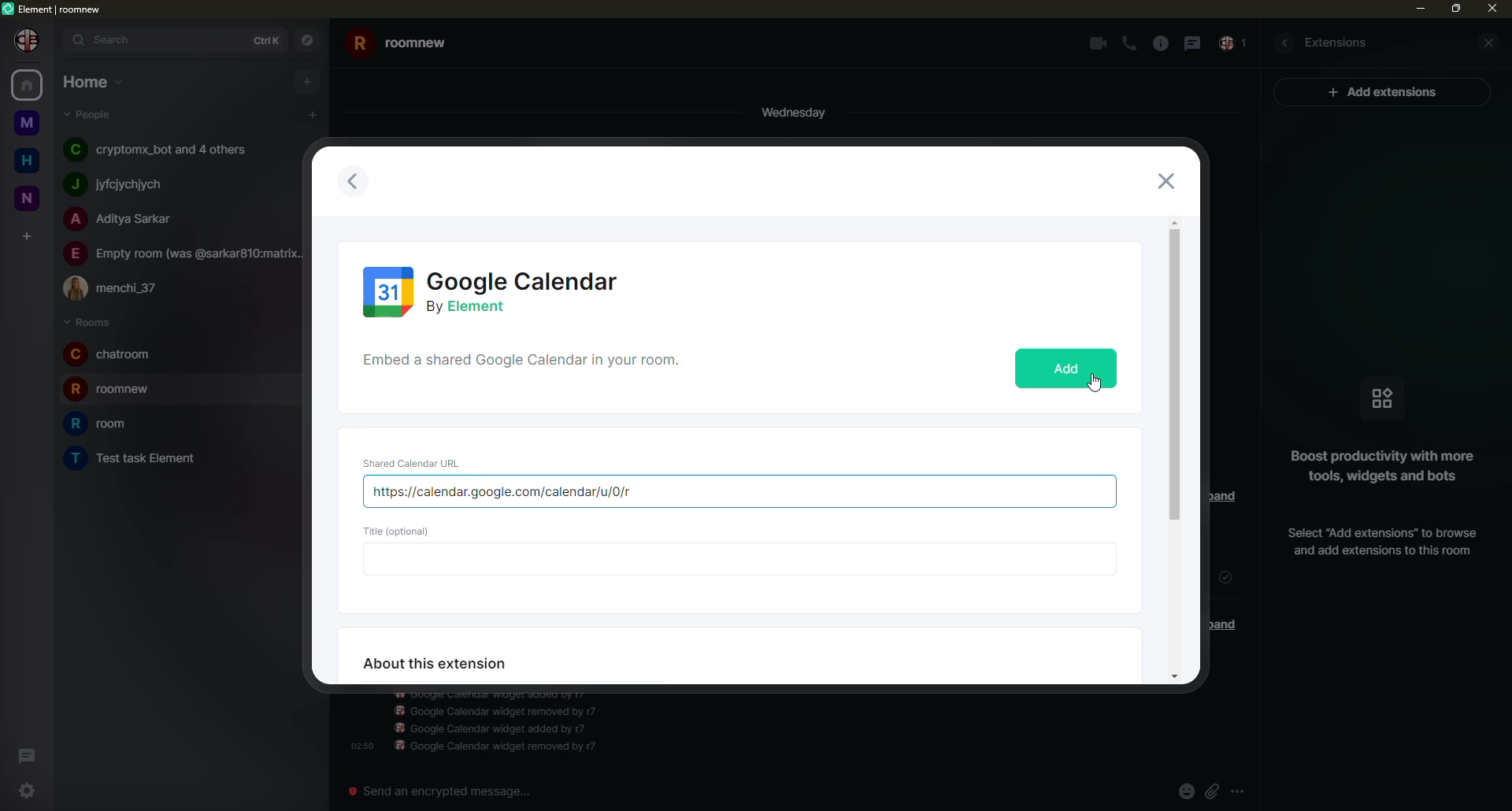 The width and height of the screenshot is (1512, 811). What do you see at coordinates (502, 724) in the screenshot?
I see `info` at bounding box center [502, 724].